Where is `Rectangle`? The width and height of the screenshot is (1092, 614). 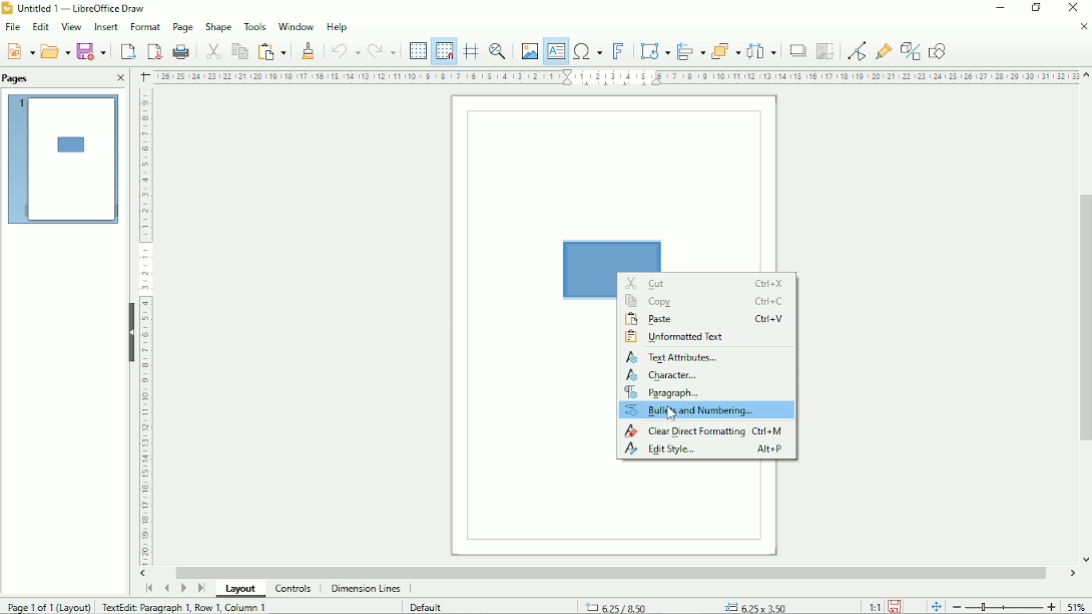
Rectangle is located at coordinates (583, 270).